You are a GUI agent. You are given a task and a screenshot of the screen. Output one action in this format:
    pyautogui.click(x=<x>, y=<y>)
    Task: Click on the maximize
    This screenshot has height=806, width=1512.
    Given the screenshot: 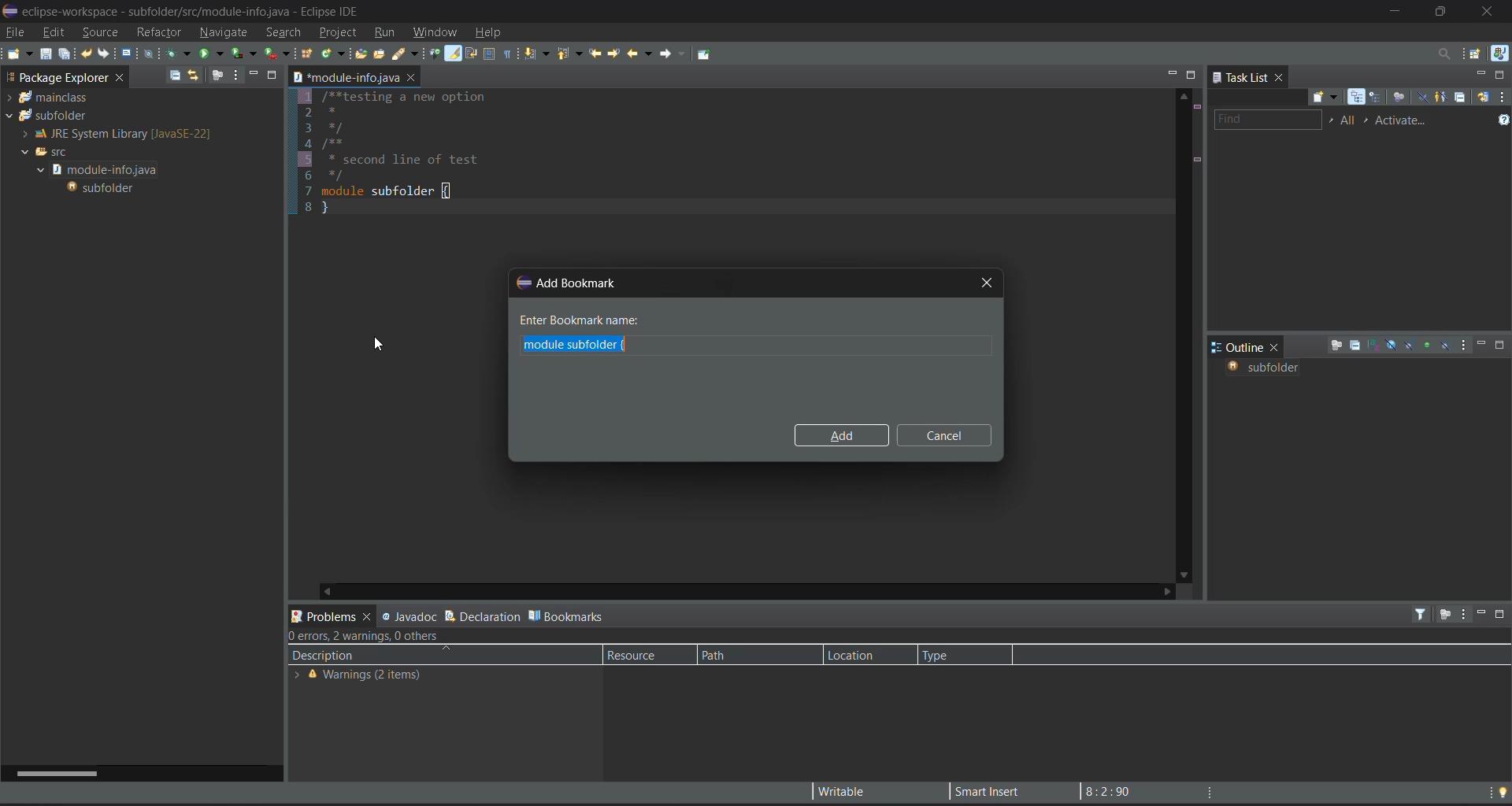 What is the action you would take?
    pyautogui.click(x=1503, y=616)
    